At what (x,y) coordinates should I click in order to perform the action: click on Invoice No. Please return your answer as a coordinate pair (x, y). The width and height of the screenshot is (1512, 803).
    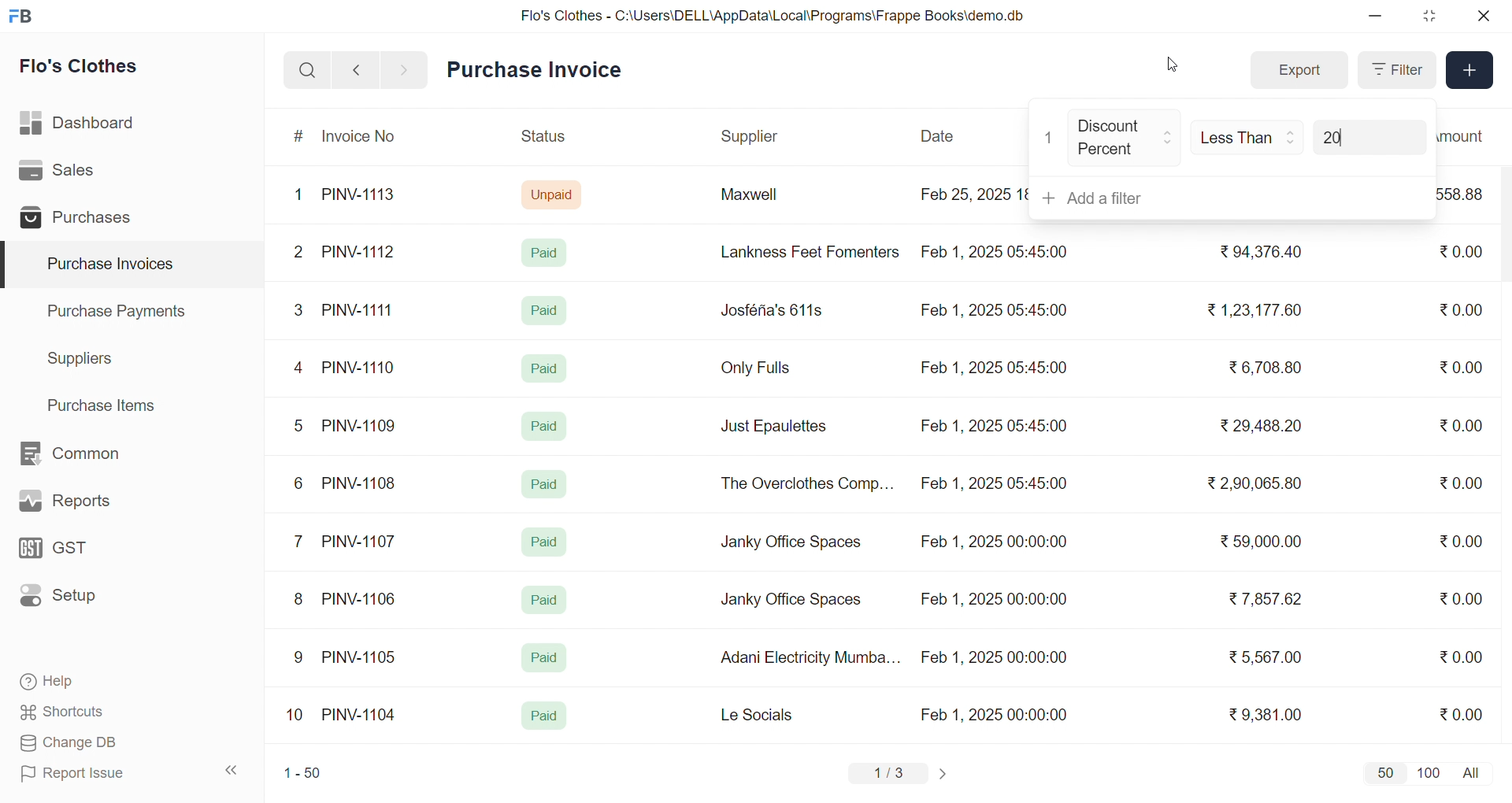
    Looking at the image, I should click on (365, 137).